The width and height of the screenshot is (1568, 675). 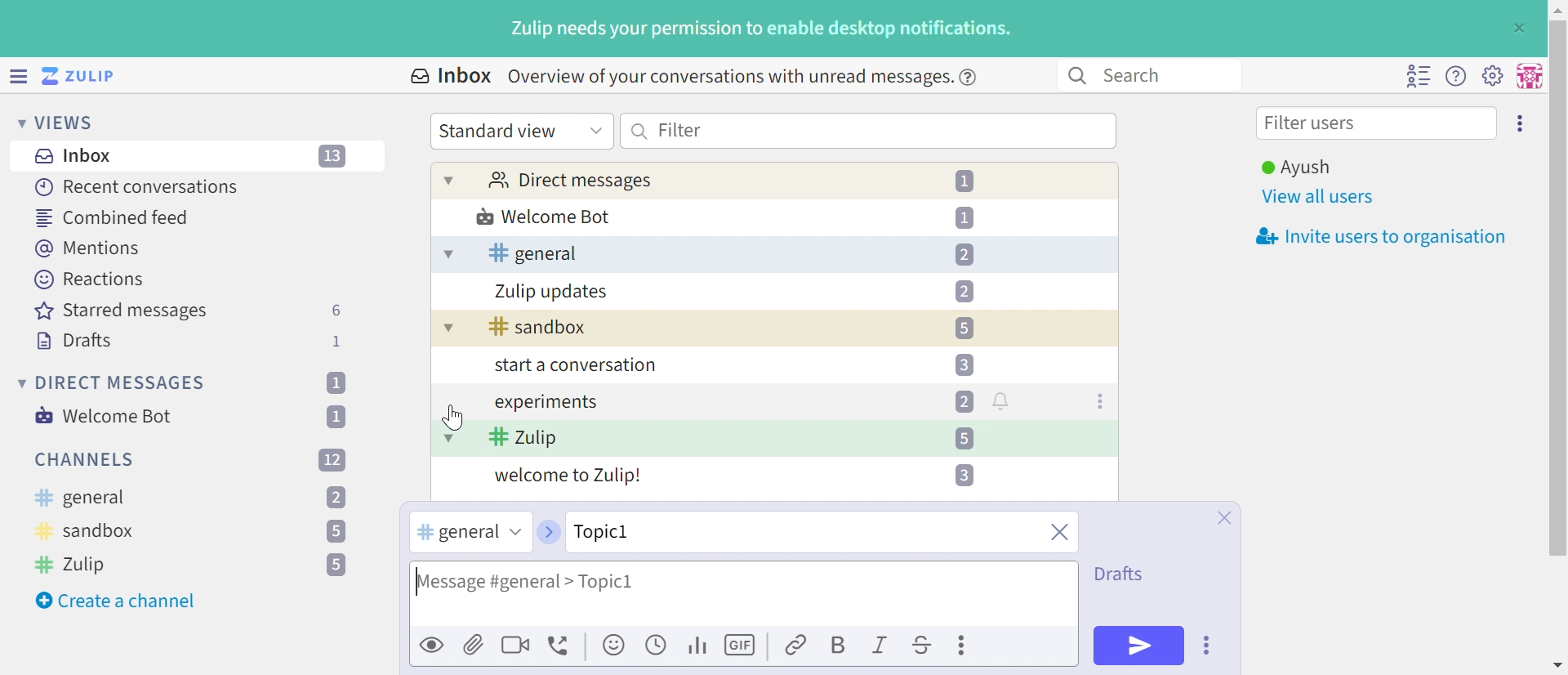 I want to click on Help Center, so click(x=973, y=76).